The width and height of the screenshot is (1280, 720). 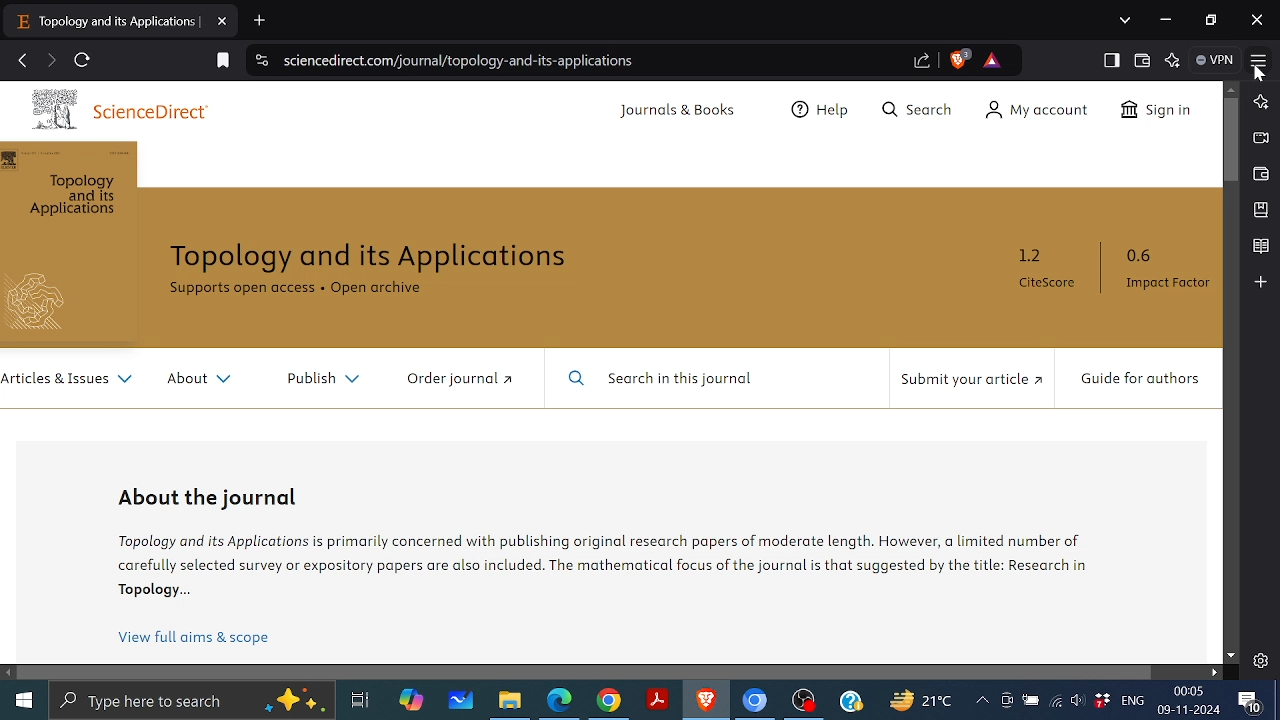 I want to click on Notifications, so click(x=1250, y=701).